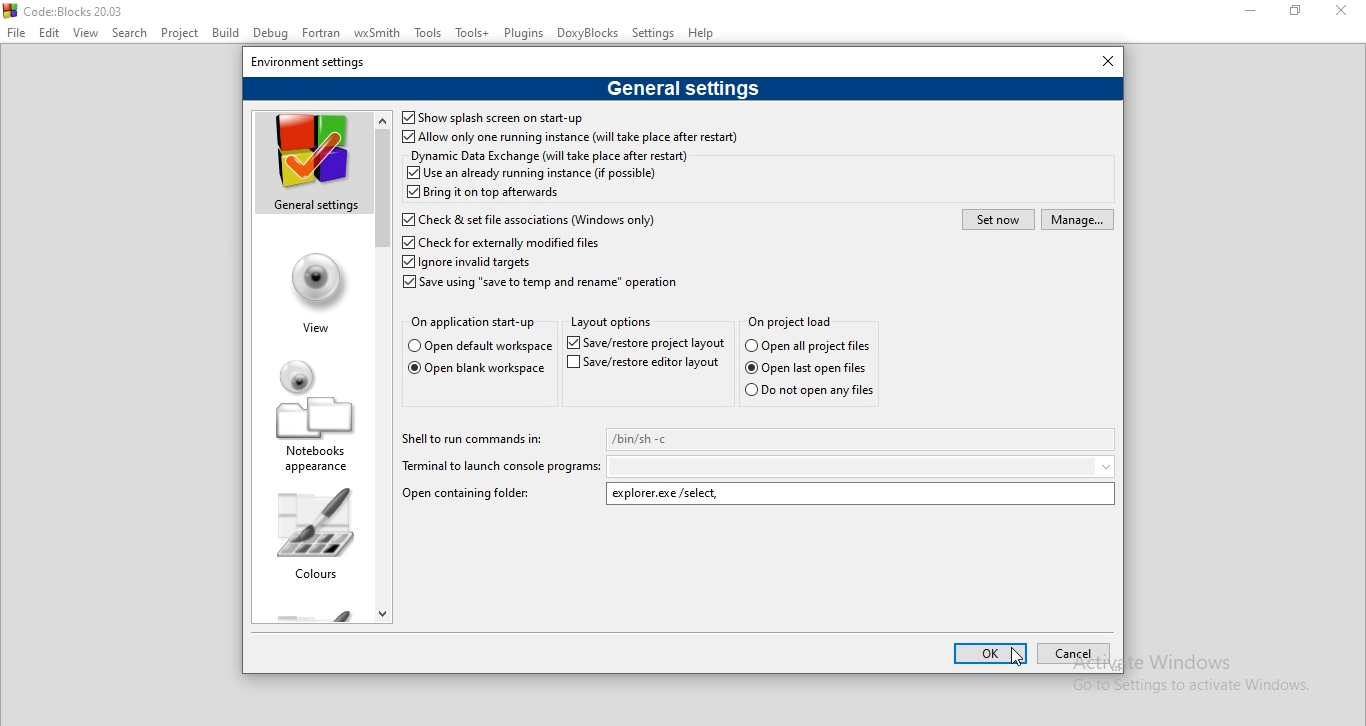  I want to click on general setting, so click(309, 164).